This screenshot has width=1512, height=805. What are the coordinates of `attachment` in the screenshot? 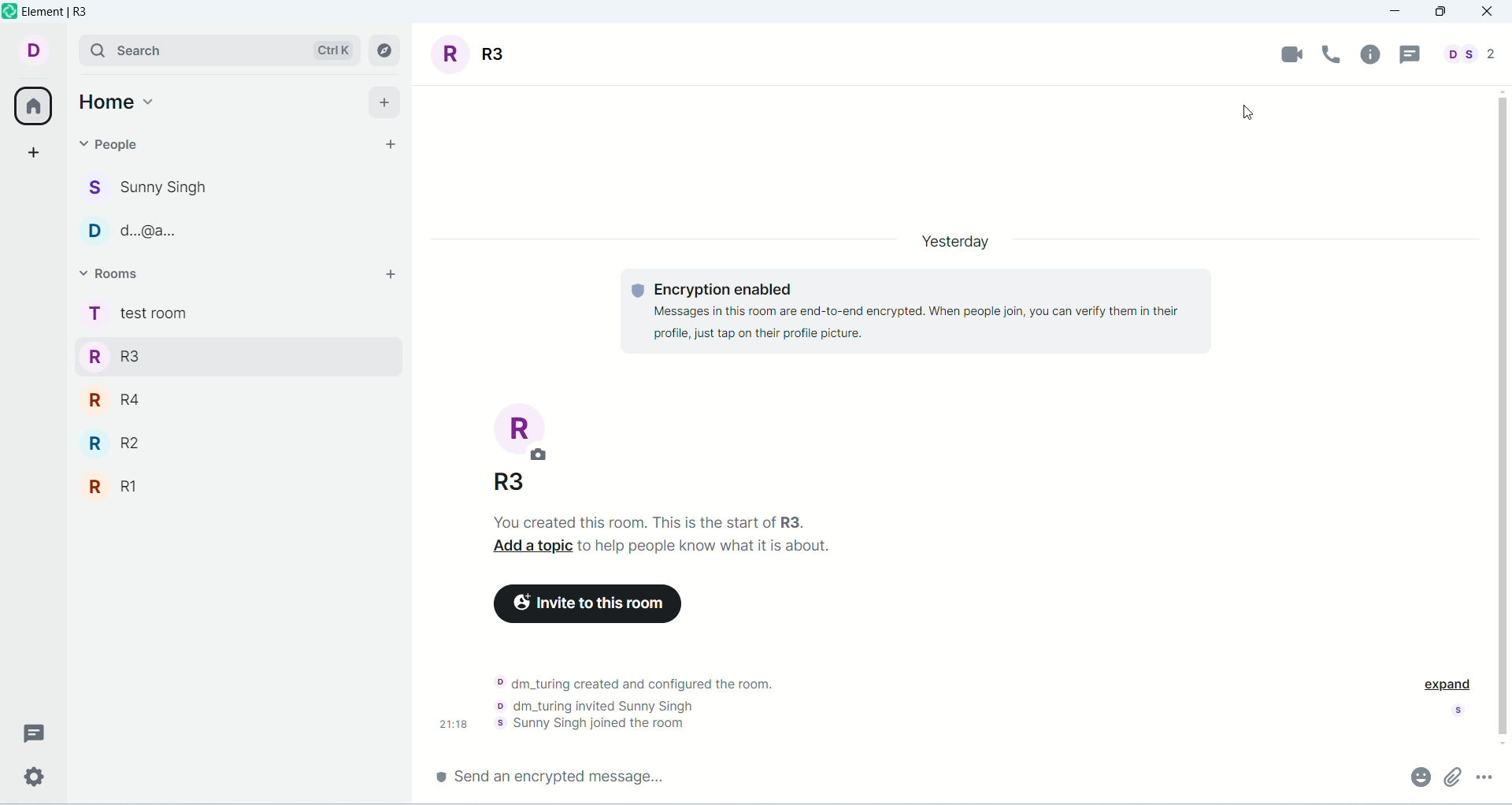 It's located at (1454, 777).